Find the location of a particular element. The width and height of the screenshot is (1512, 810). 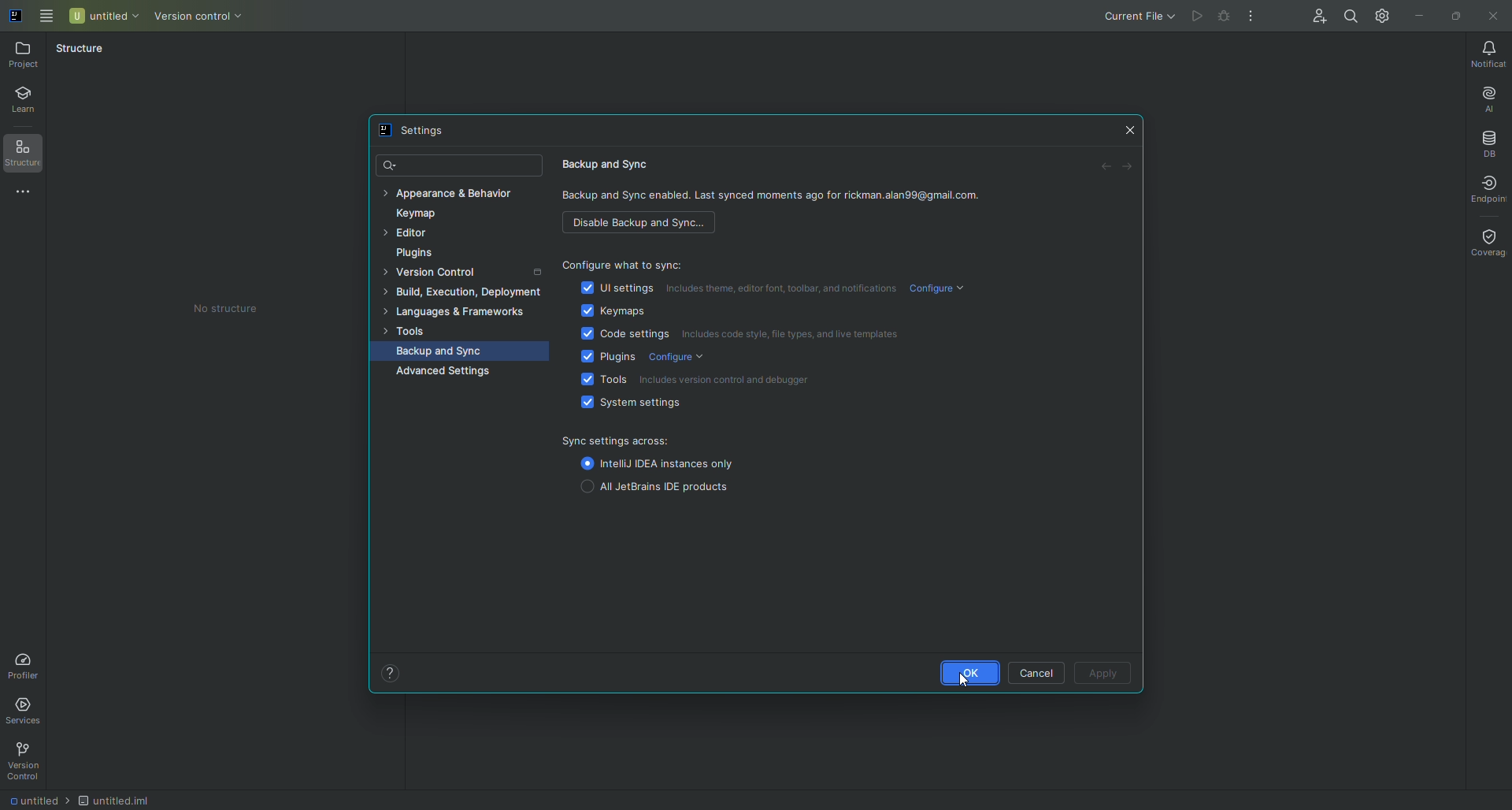

Enable Backup is located at coordinates (643, 225).